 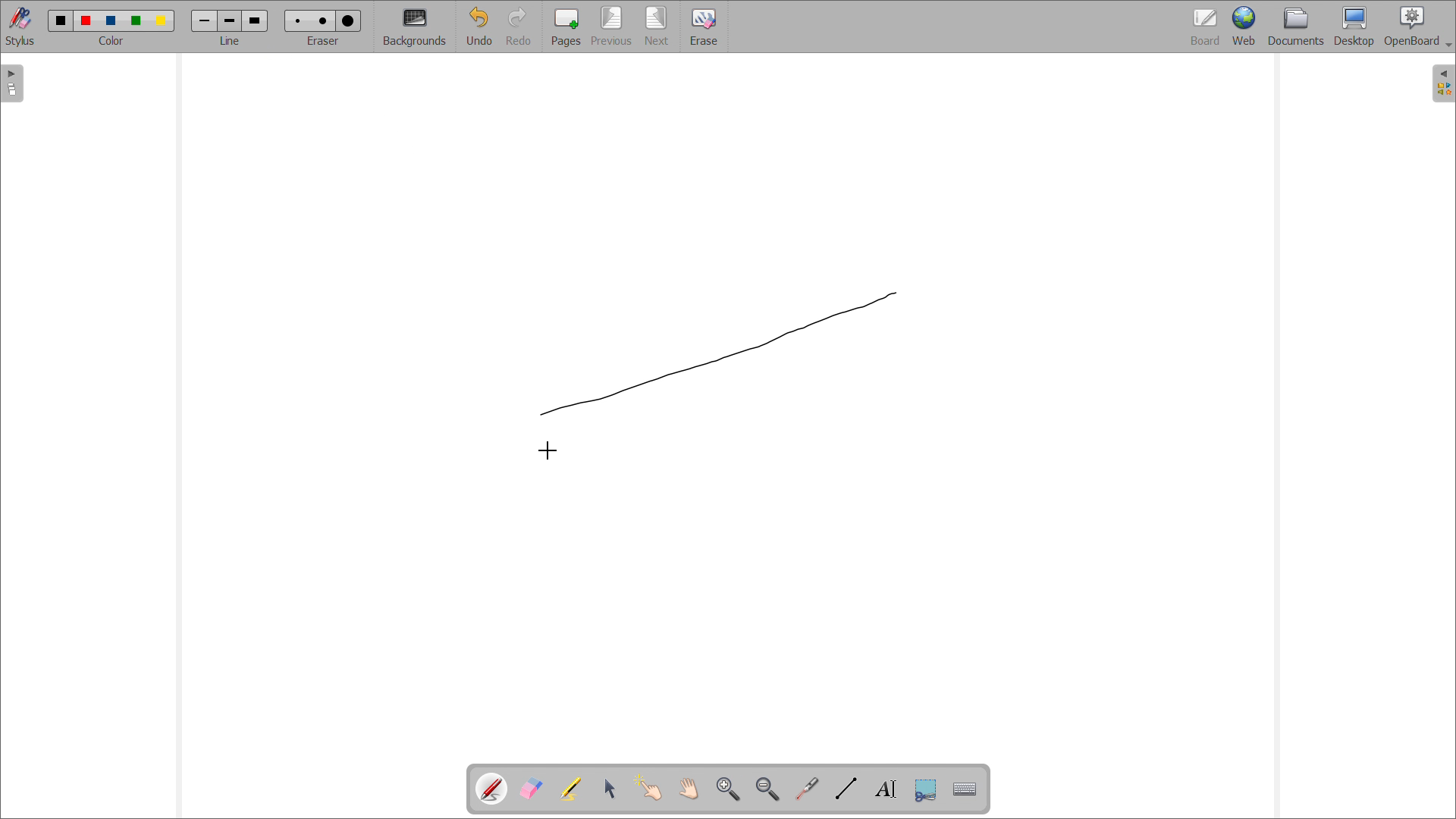 I want to click on virtual laser pointer, so click(x=808, y=787).